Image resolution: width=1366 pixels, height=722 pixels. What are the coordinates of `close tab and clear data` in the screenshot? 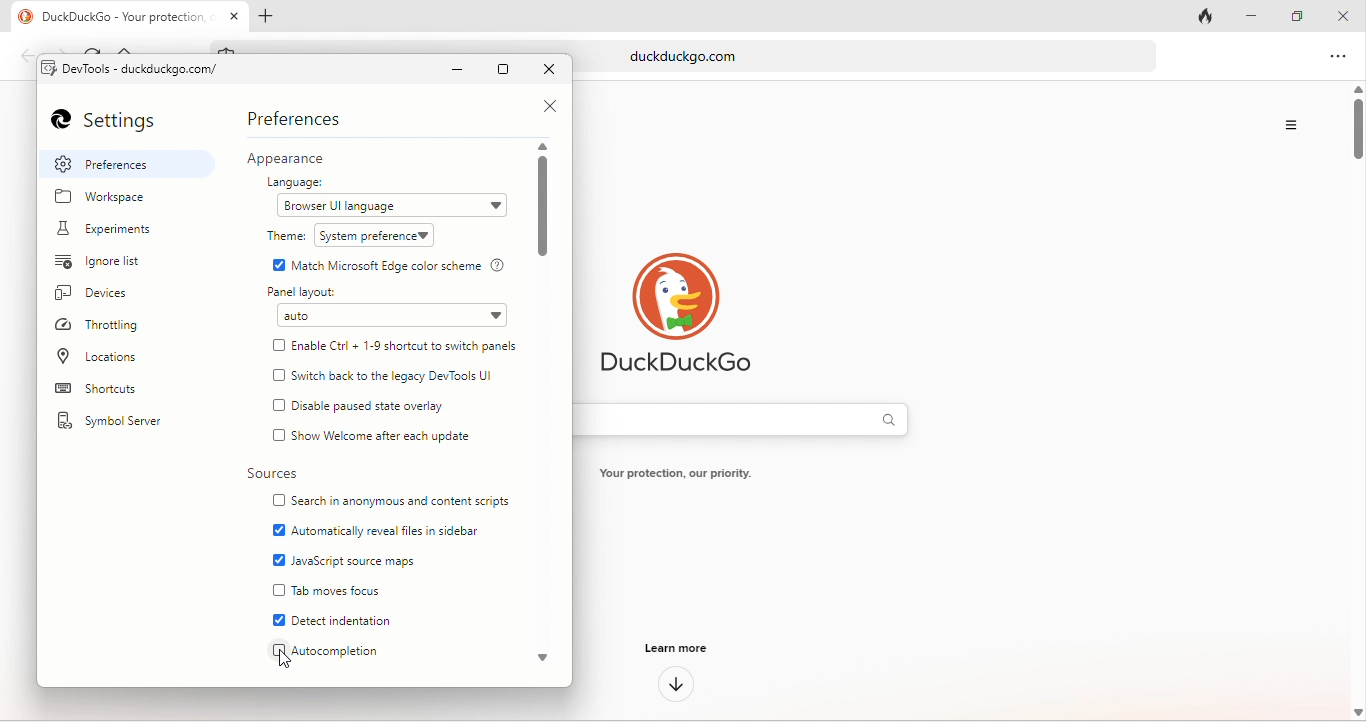 It's located at (1207, 15).